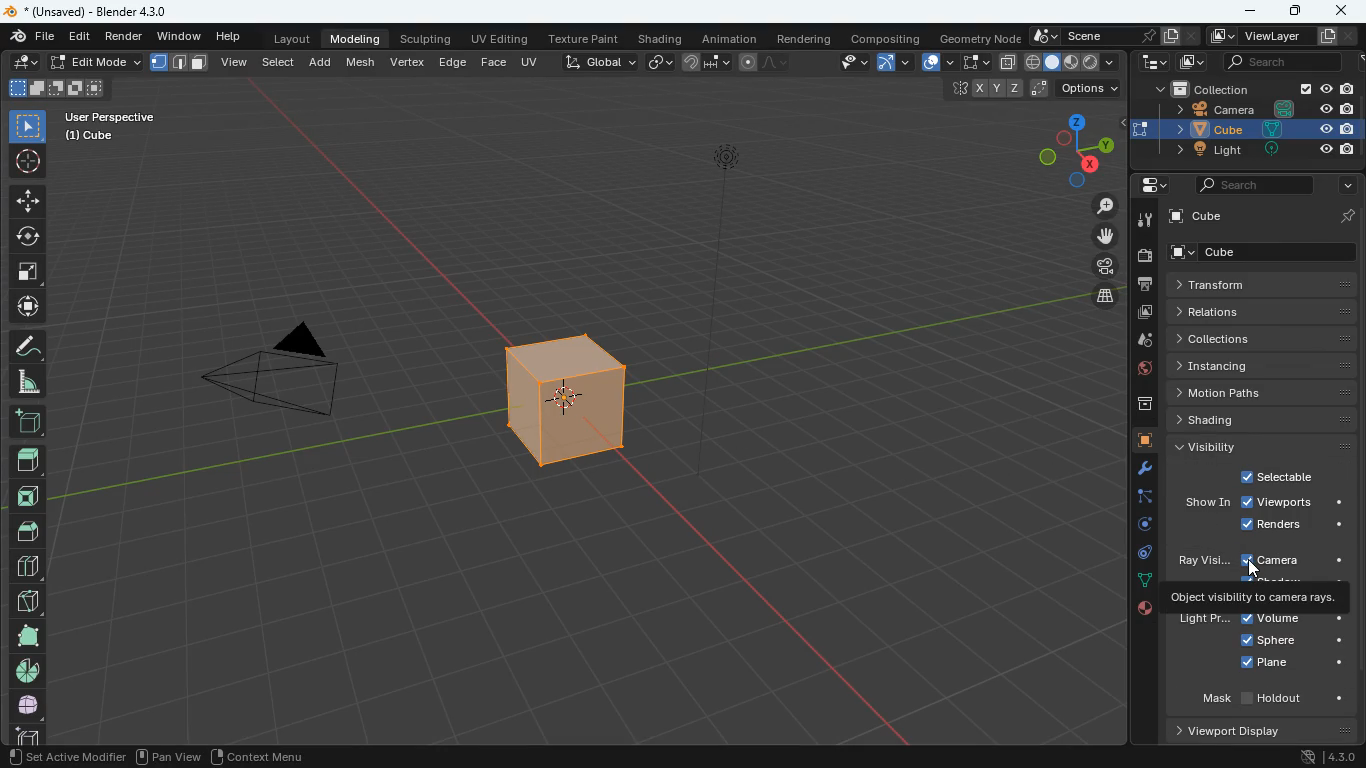 The width and height of the screenshot is (1366, 768). I want to click on film, so click(1107, 268).